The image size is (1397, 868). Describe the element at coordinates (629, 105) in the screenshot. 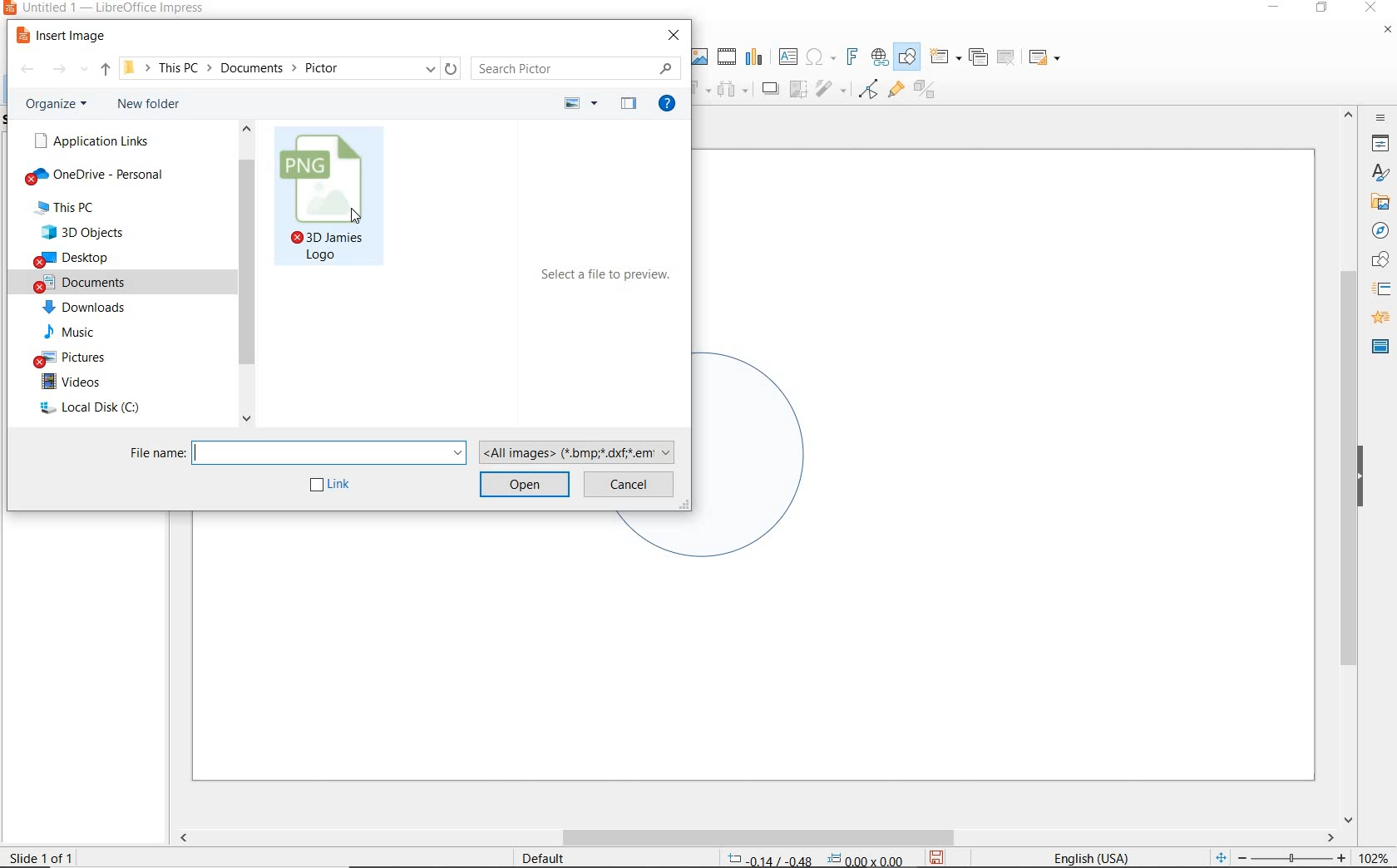

I see `hide the preview pane` at that location.